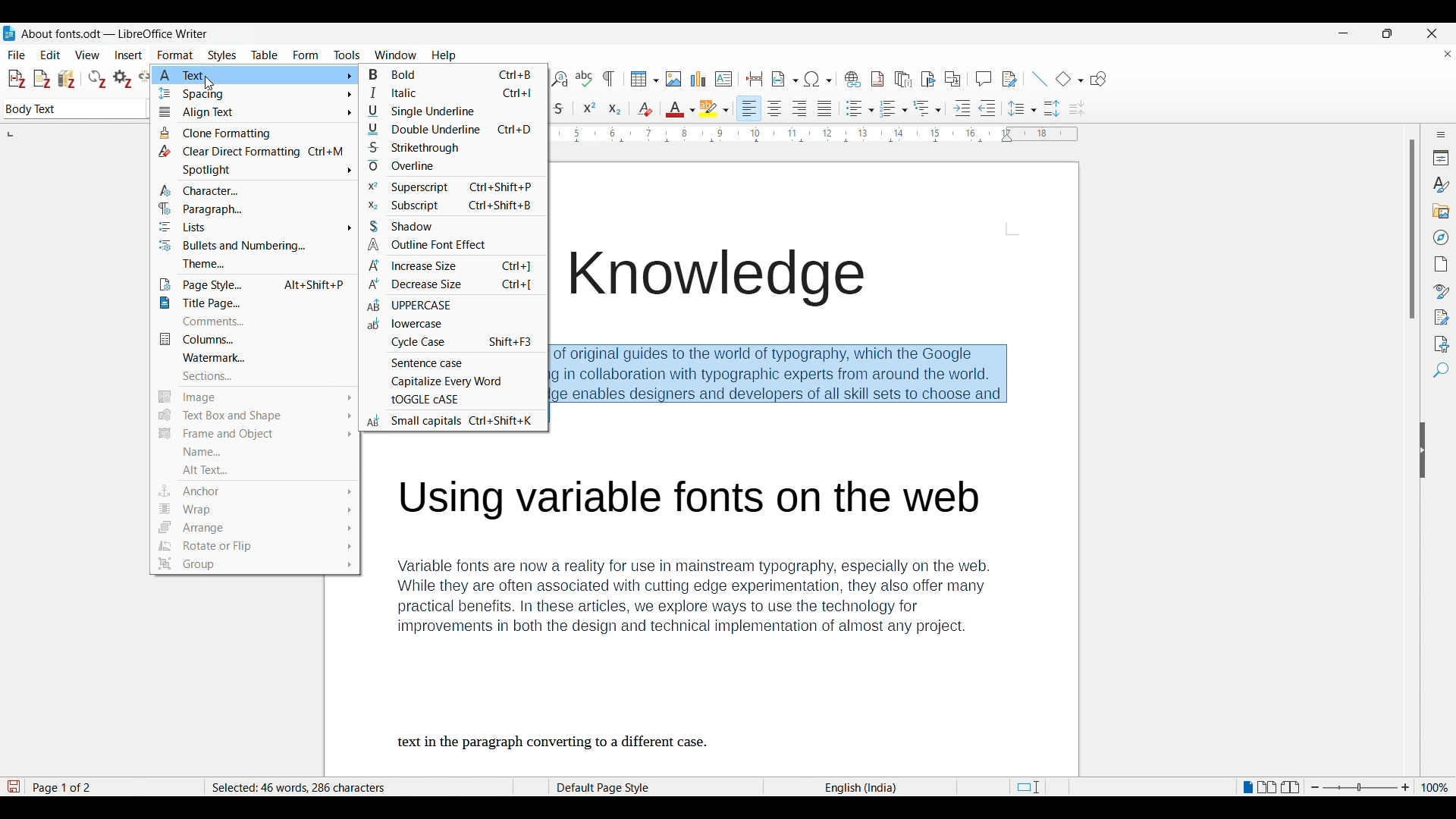 The width and height of the screenshot is (1456, 819). Describe the element at coordinates (453, 383) in the screenshot. I see `Capitalize every word` at that location.